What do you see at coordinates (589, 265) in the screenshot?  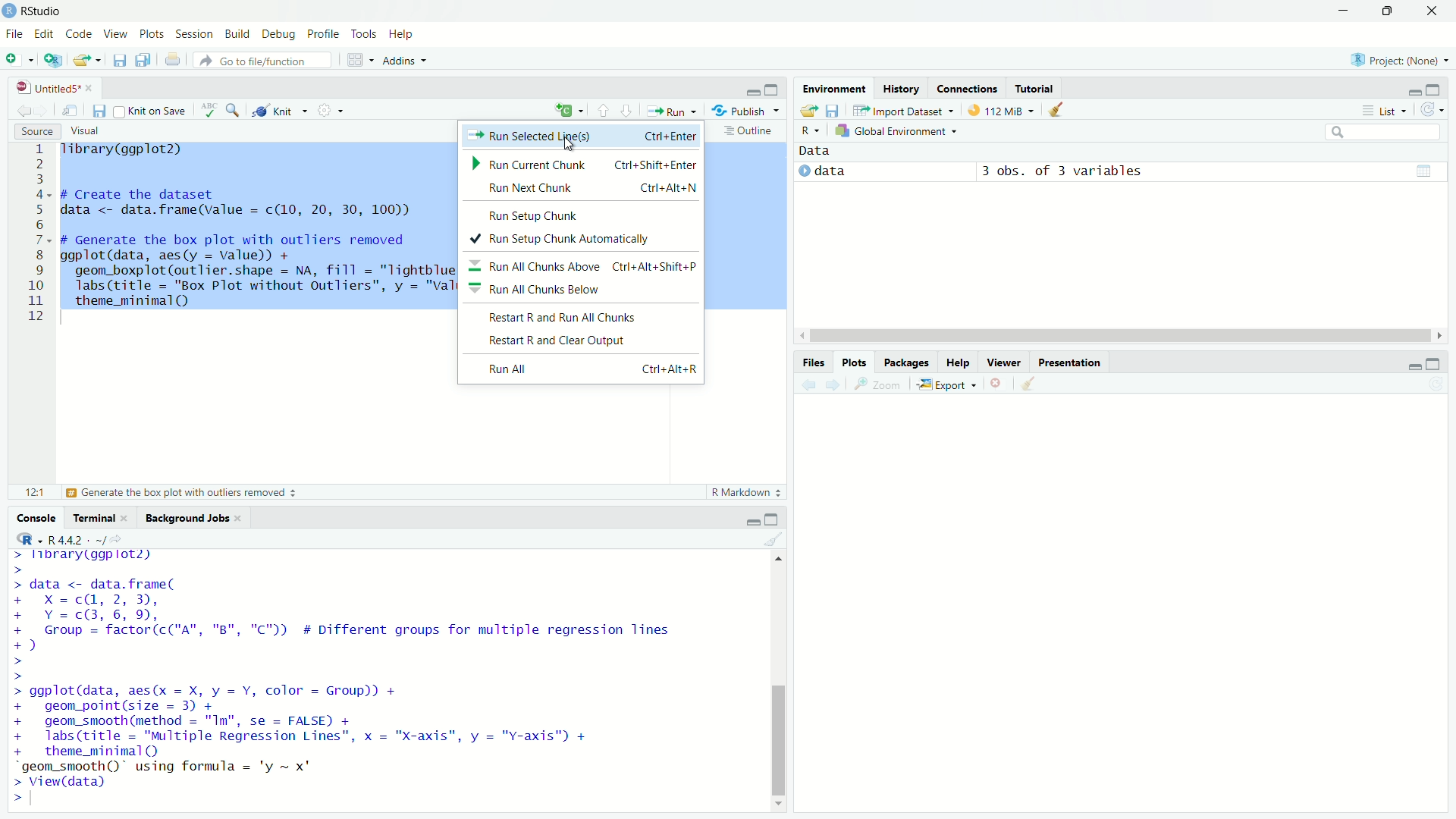 I see `~ Run All Chunks Above  Ctrl+Alt+Shift+P |` at bounding box center [589, 265].